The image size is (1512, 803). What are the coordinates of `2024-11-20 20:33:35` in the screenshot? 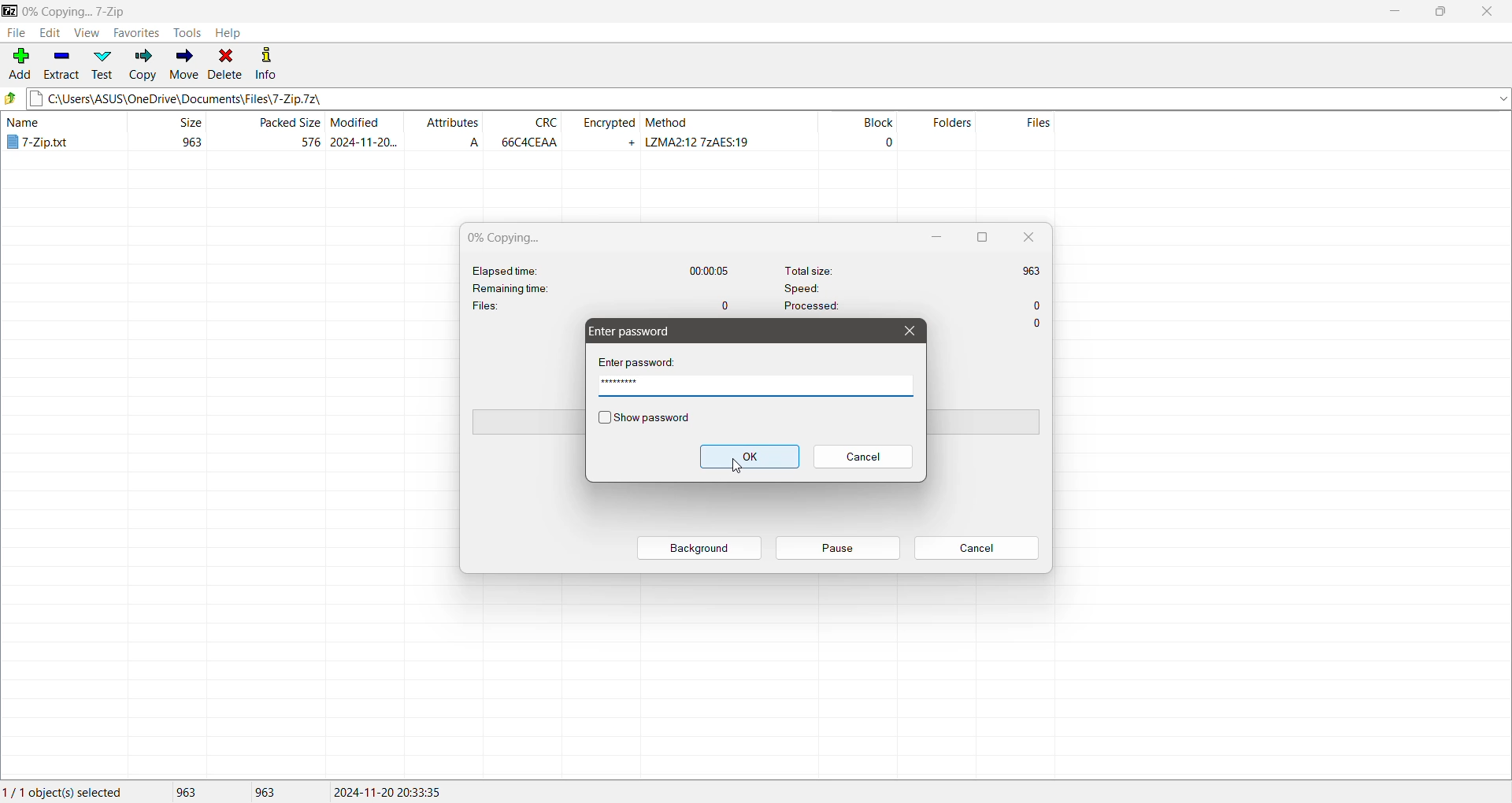 It's located at (392, 790).